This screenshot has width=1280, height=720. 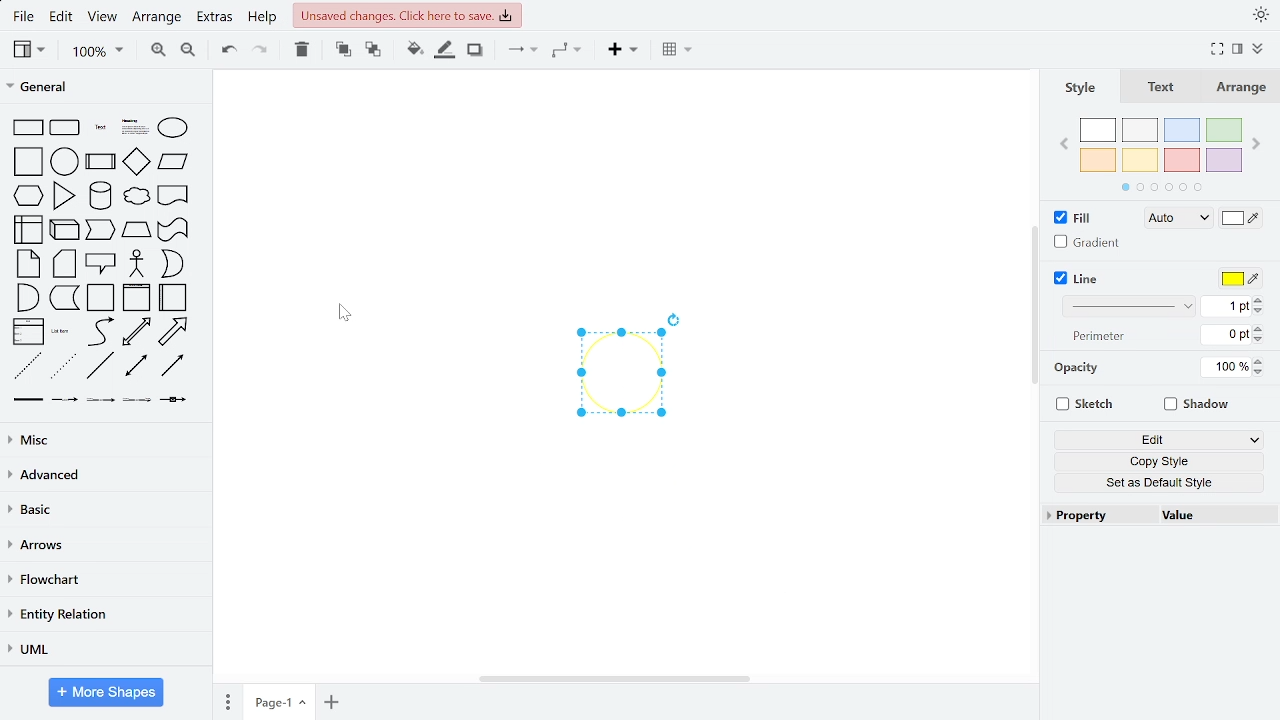 What do you see at coordinates (66, 162) in the screenshot?
I see `circle` at bounding box center [66, 162].